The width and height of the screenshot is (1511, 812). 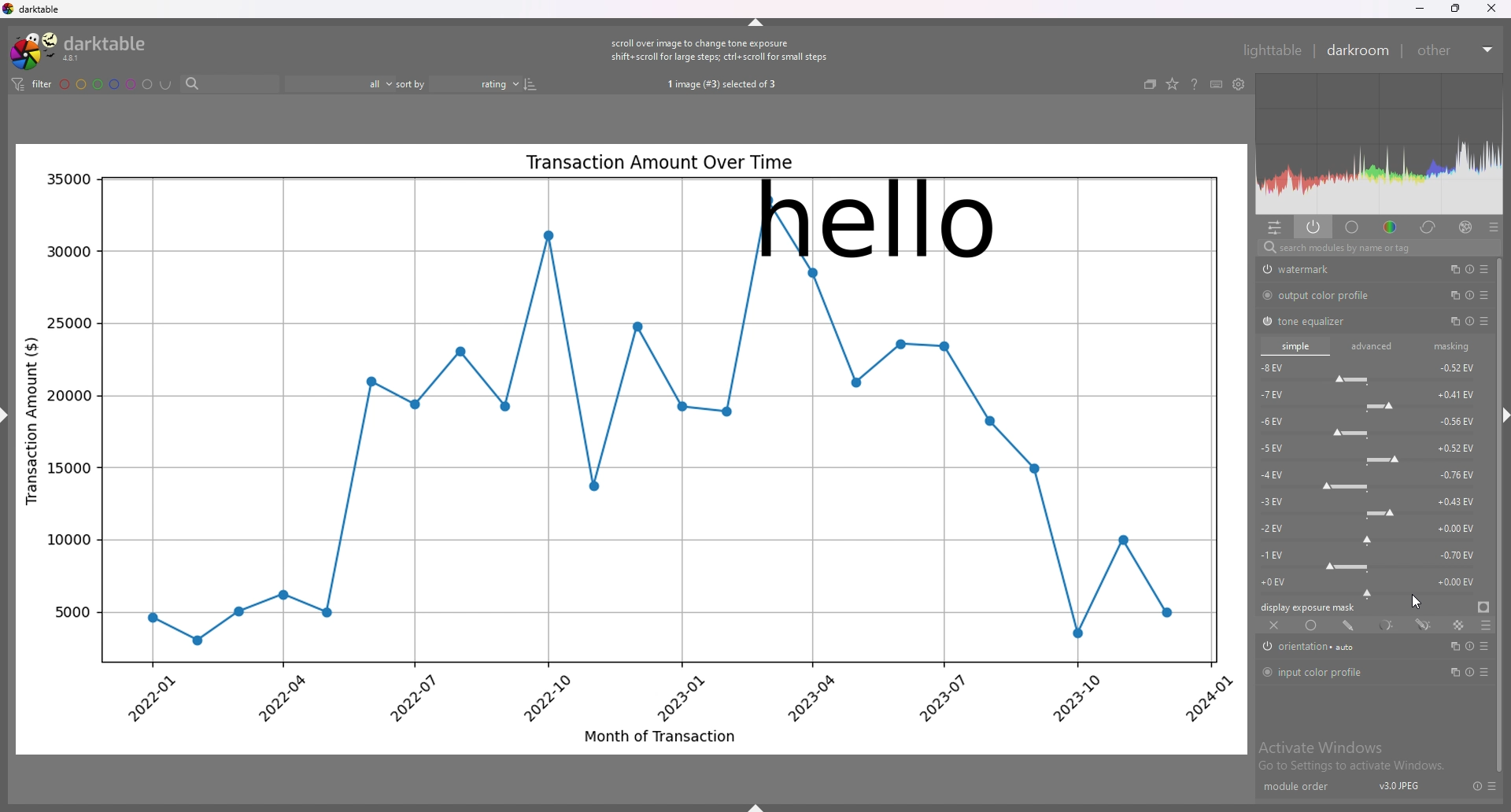 What do you see at coordinates (412, 84) in the screenshot?
I see `sort by` at bounding box center [412, 84].